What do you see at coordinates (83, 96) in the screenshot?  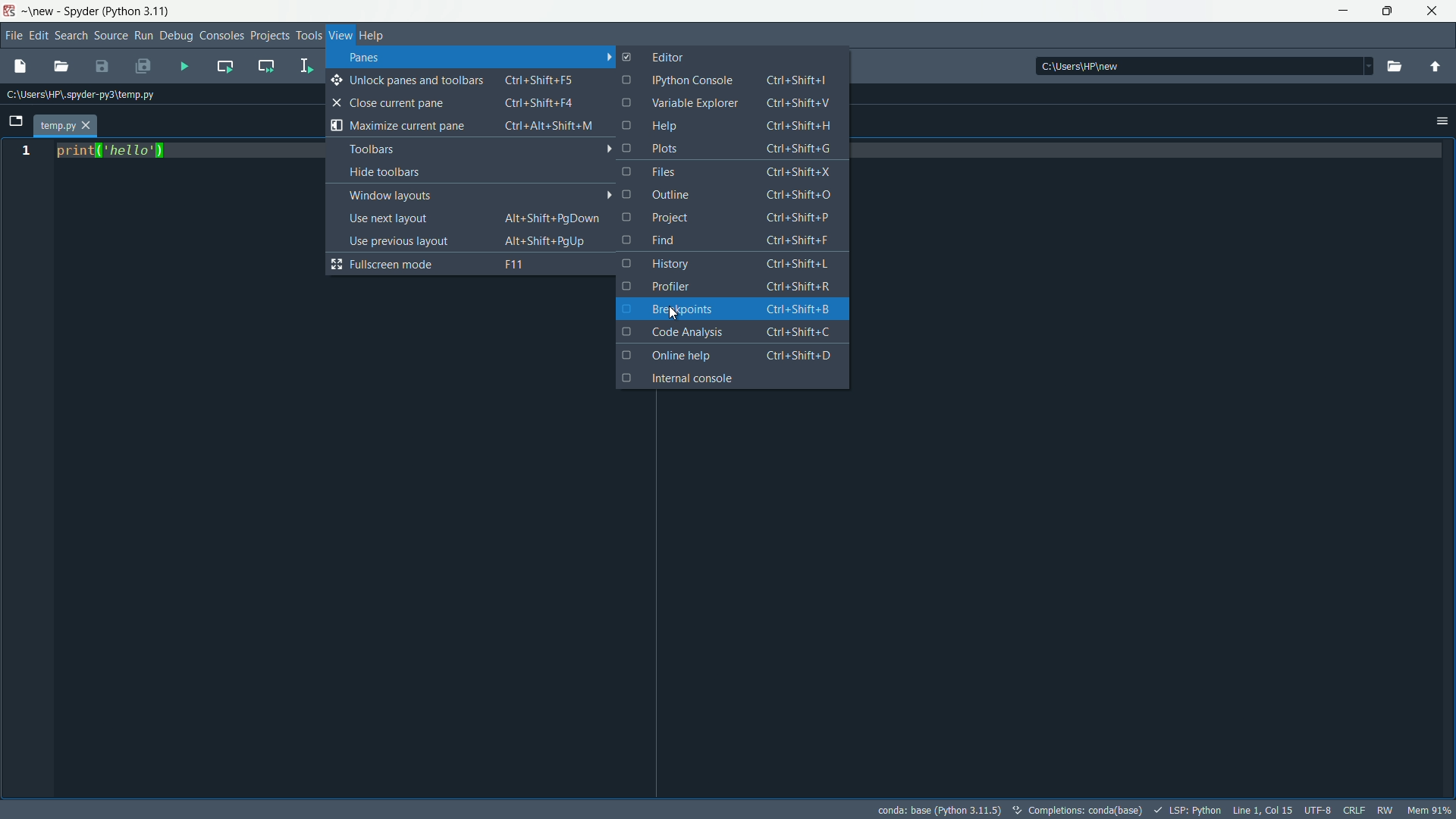 I see `c:\users\hp\.spyder-py3\temp.py` at bounding box center [83, 96].